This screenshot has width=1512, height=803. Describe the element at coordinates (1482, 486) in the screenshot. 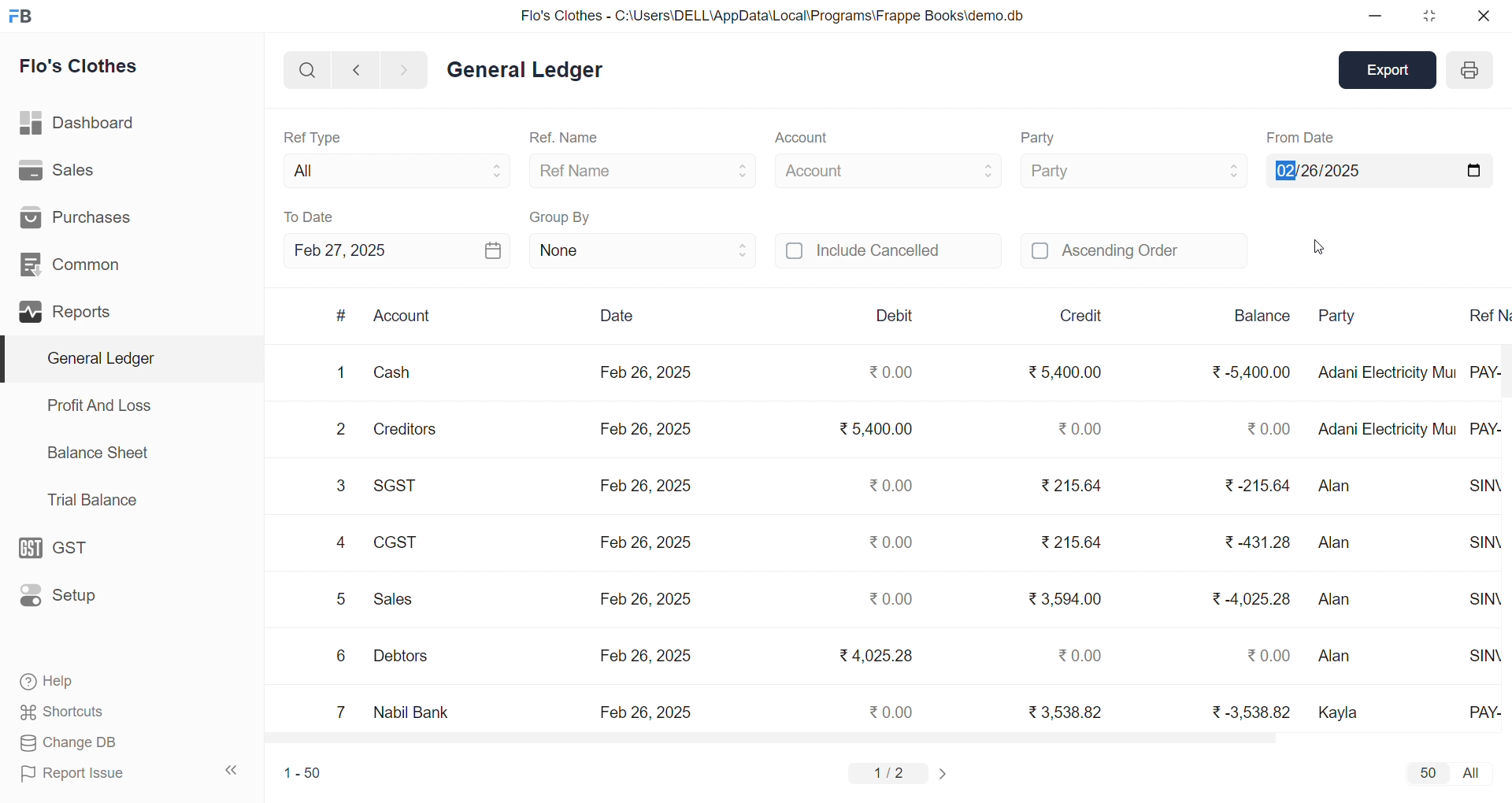

I see `SINV-` at that location.